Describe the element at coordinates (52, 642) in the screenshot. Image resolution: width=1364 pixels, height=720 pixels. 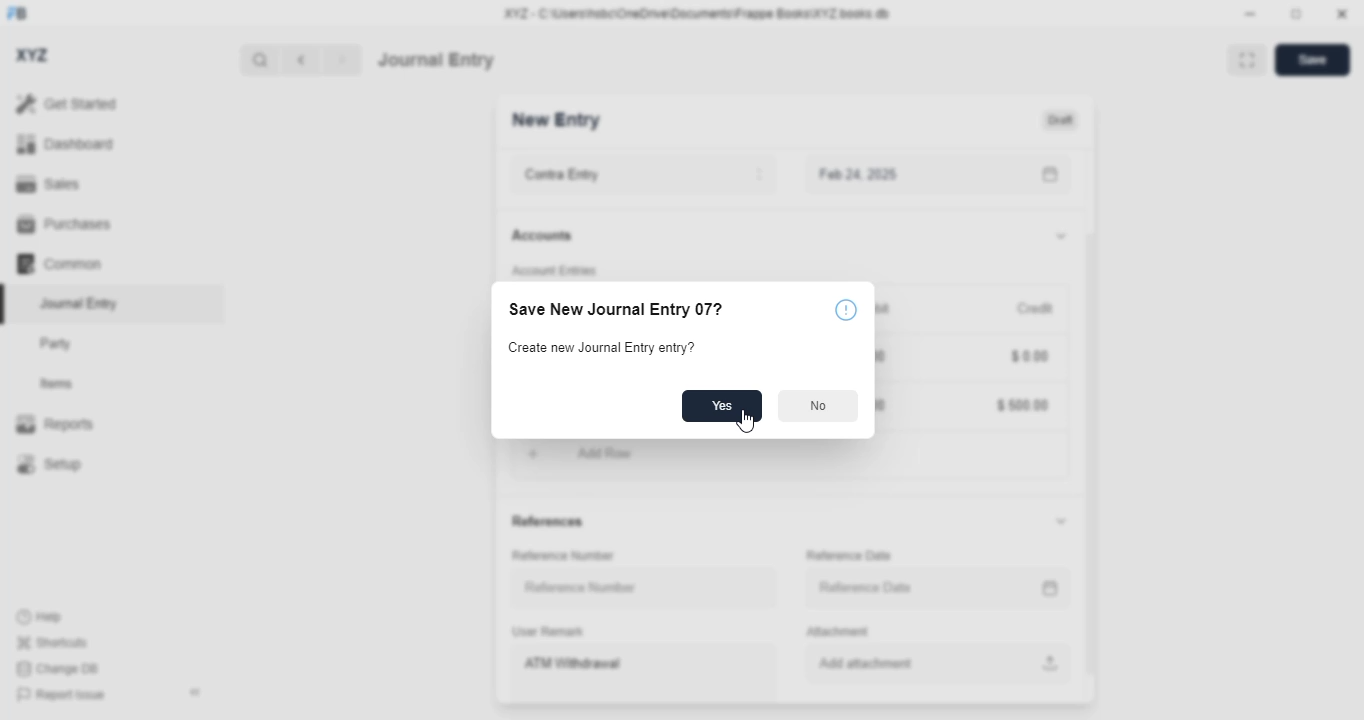
I see `shortcuts` at that location.